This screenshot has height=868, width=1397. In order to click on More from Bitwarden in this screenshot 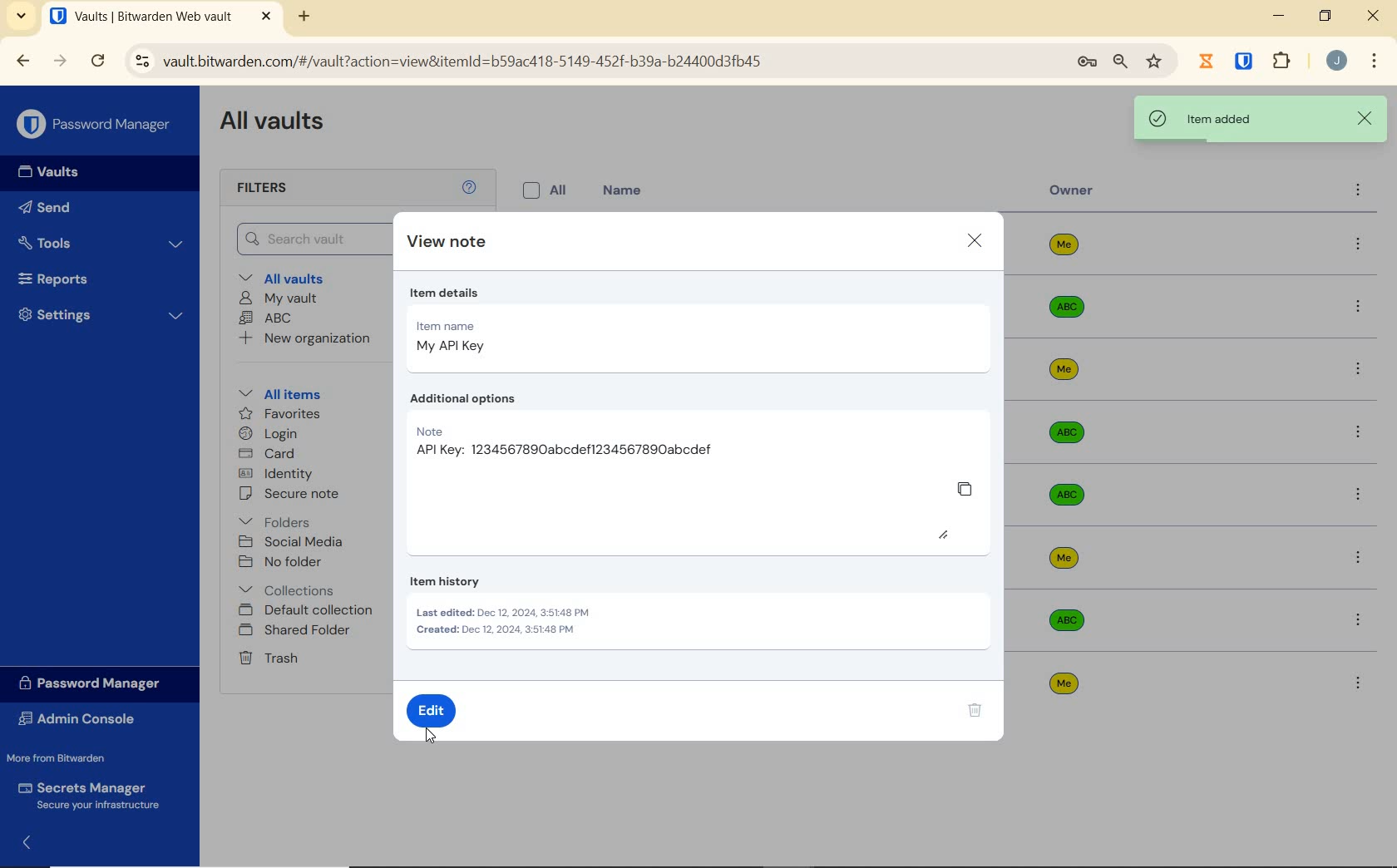, I will do `click(73, 758)`.